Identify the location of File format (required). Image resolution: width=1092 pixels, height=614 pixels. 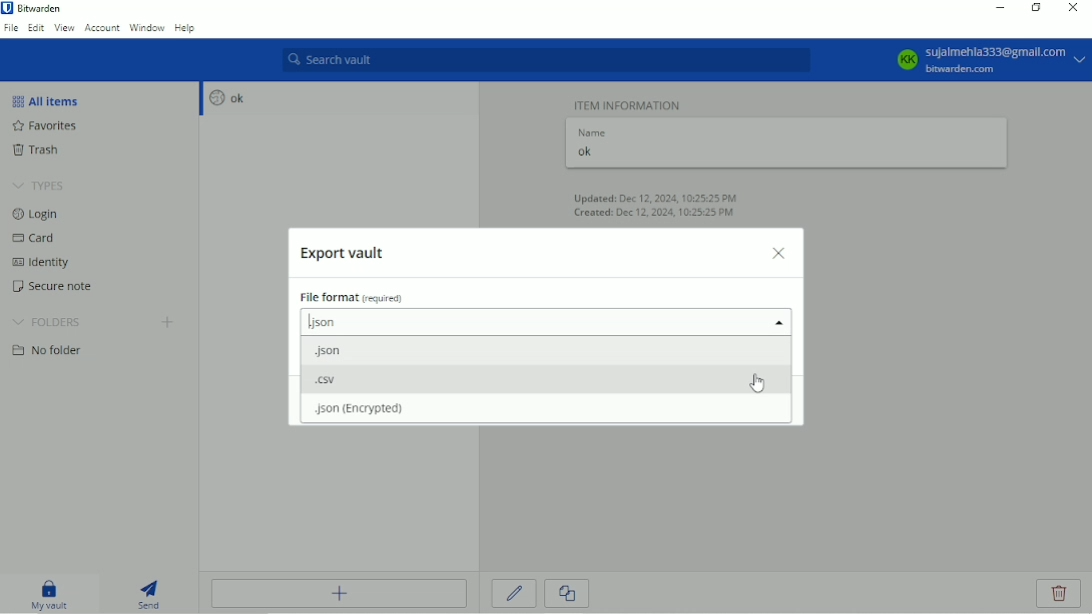
(354, 298).